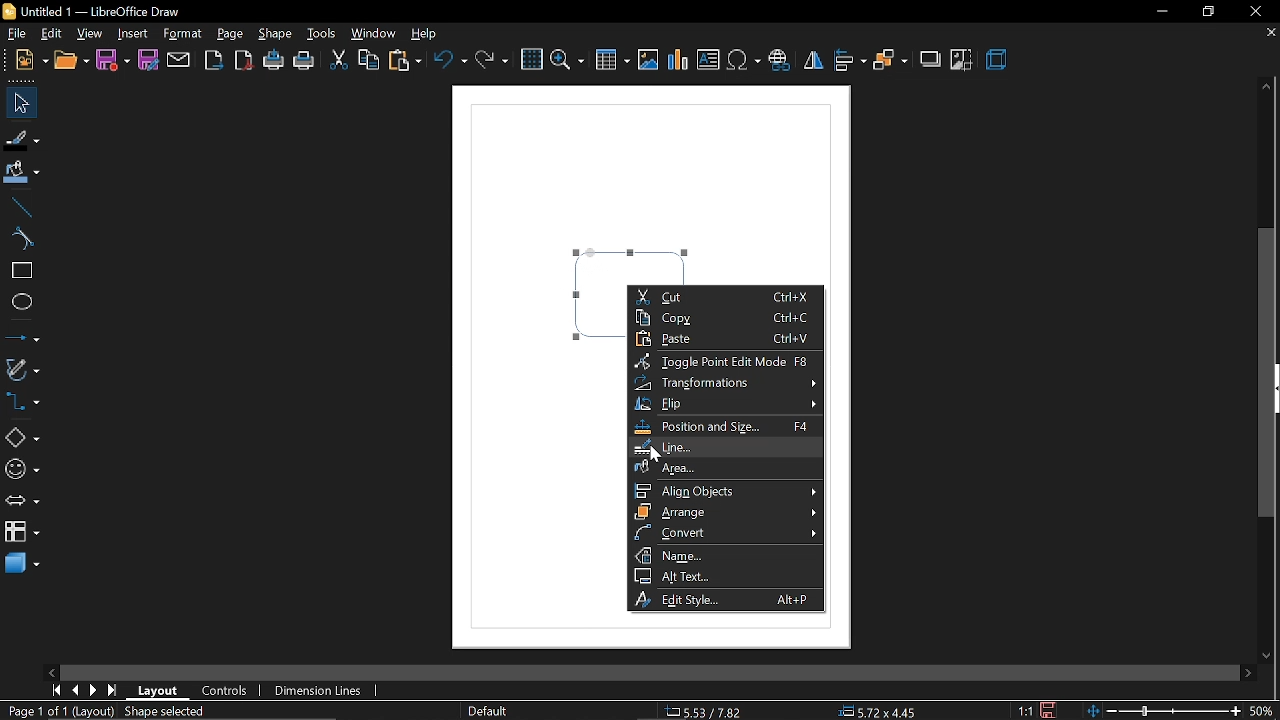 Image resolution: width=1280 pixels, height=720 pixels. I want to click on page, so click(230, 34).